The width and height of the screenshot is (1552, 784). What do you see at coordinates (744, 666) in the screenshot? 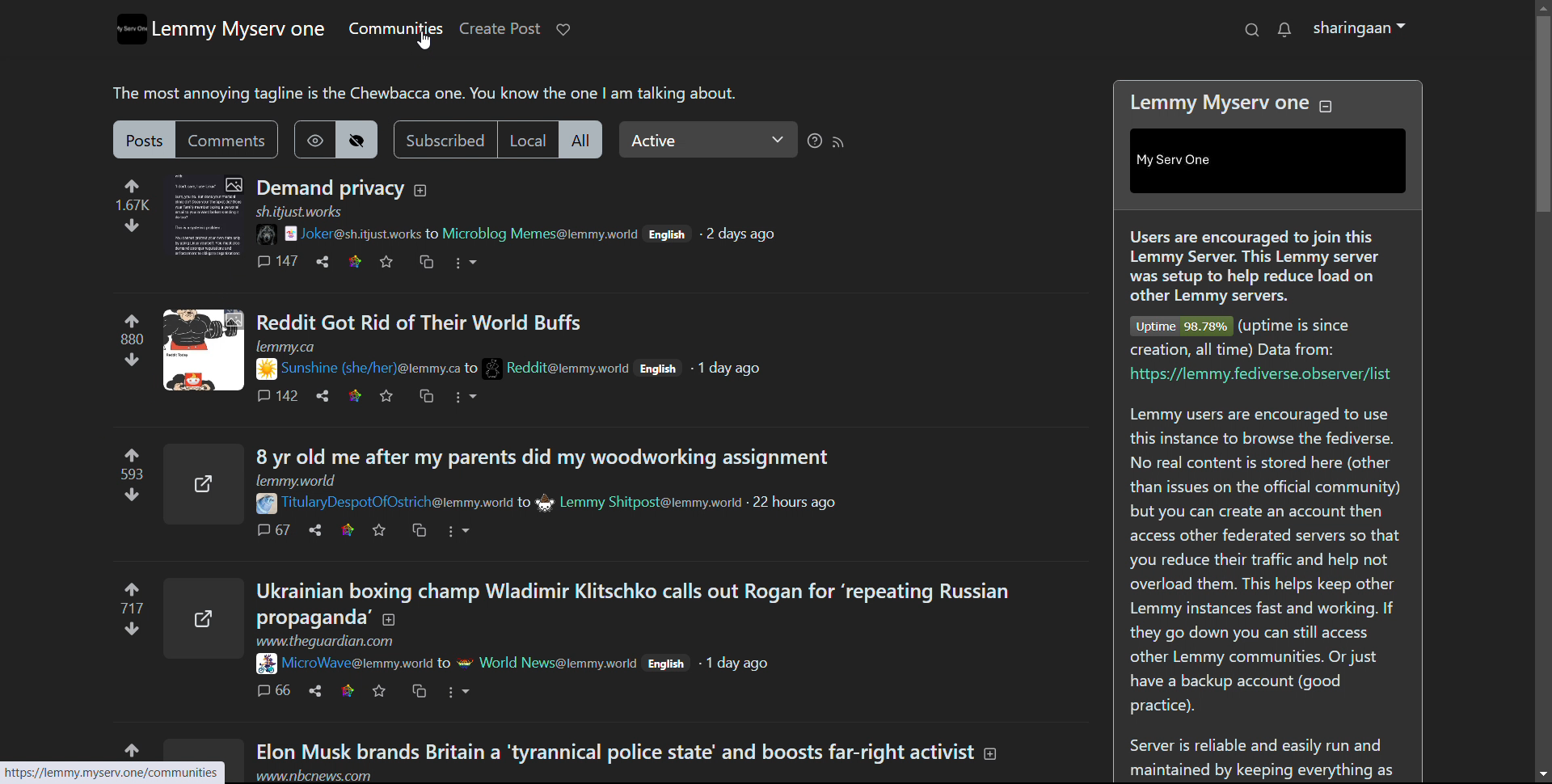
I see `1 day ago` at bounding box center [744, 666].